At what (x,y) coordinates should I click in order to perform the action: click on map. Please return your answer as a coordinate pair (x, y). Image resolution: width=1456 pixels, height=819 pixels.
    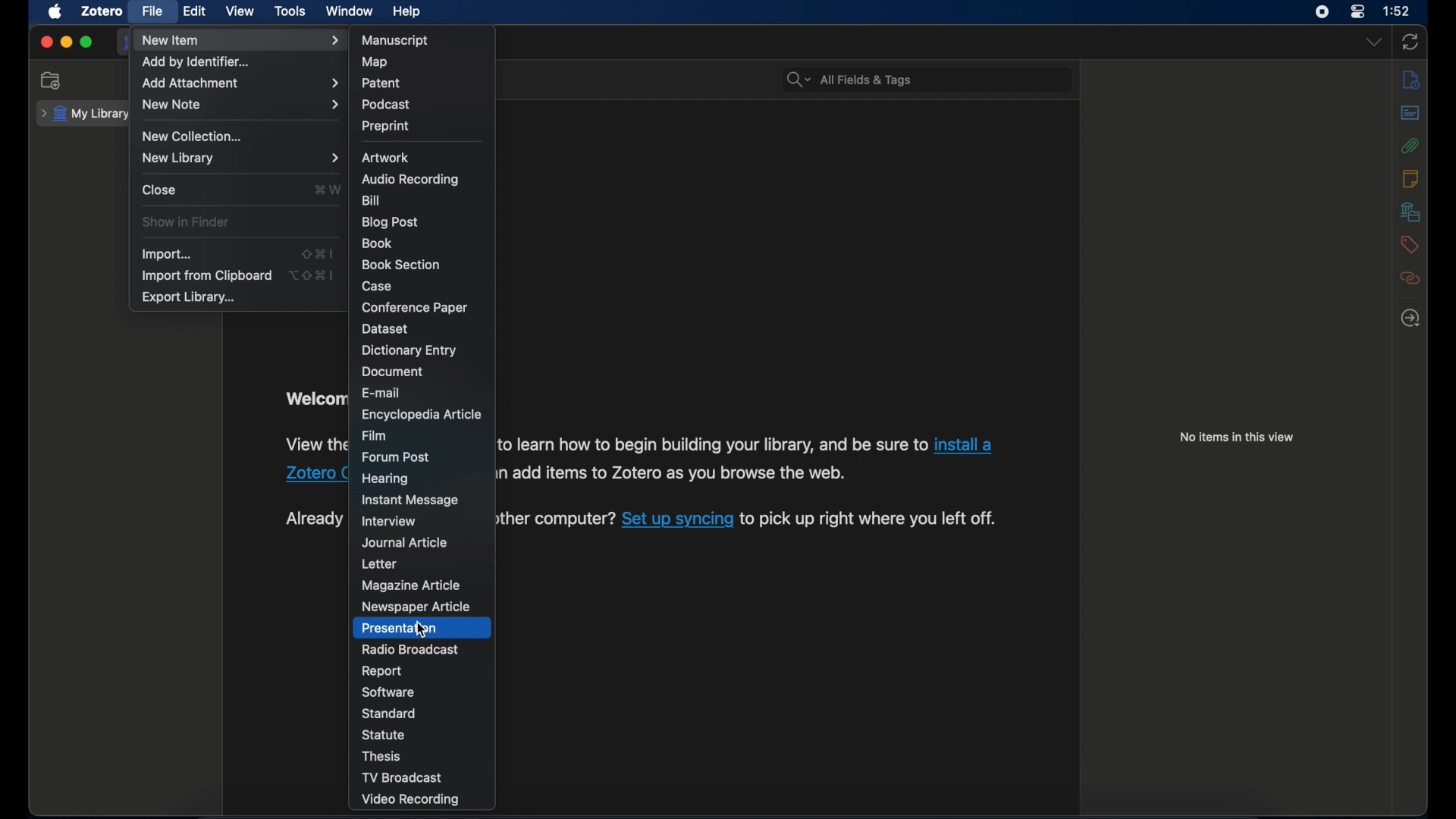
    Looking at the image, I should click on (376, 61).